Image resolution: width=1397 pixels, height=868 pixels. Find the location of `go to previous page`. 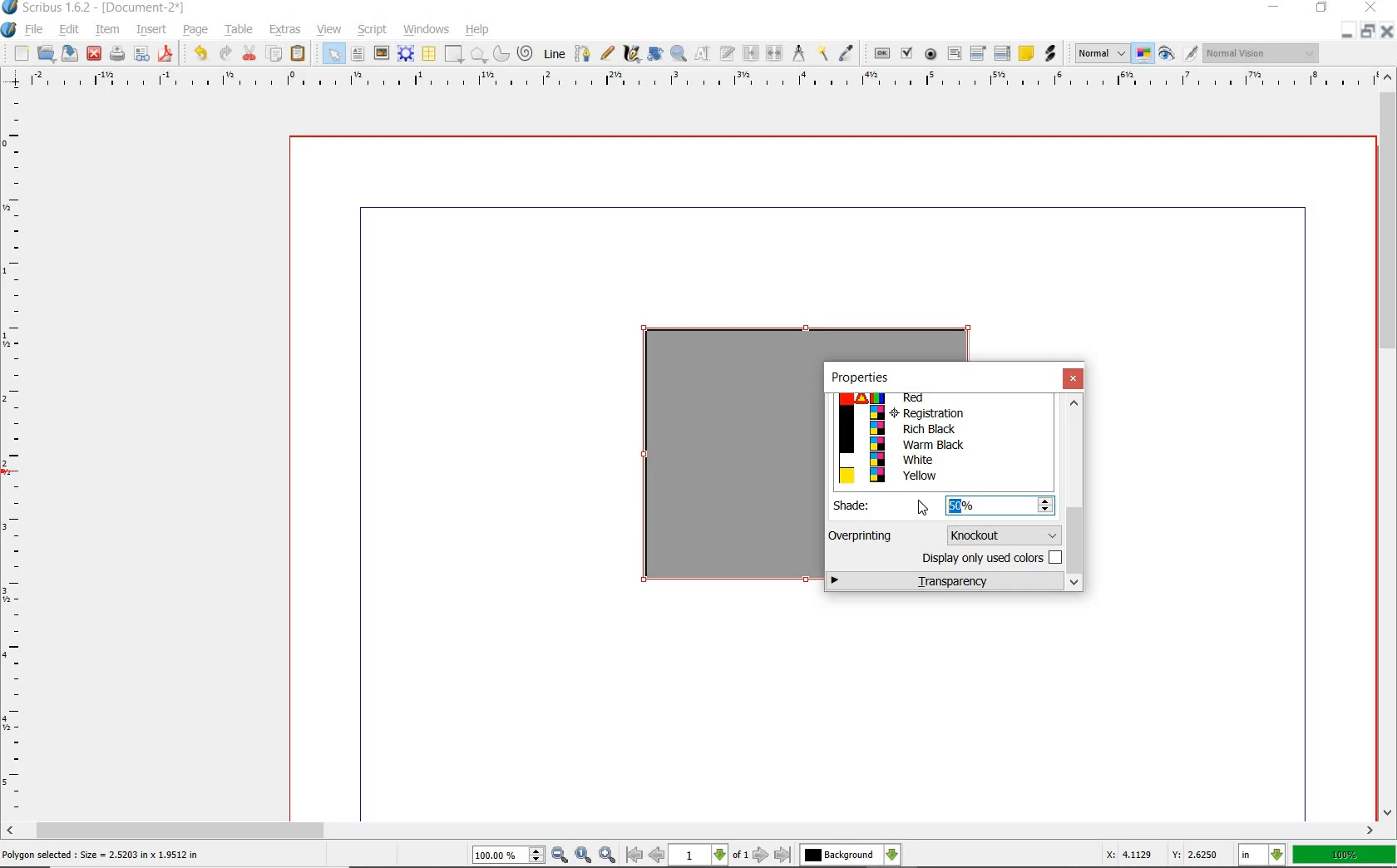

go to previous page is located at coordinates (657, 856).